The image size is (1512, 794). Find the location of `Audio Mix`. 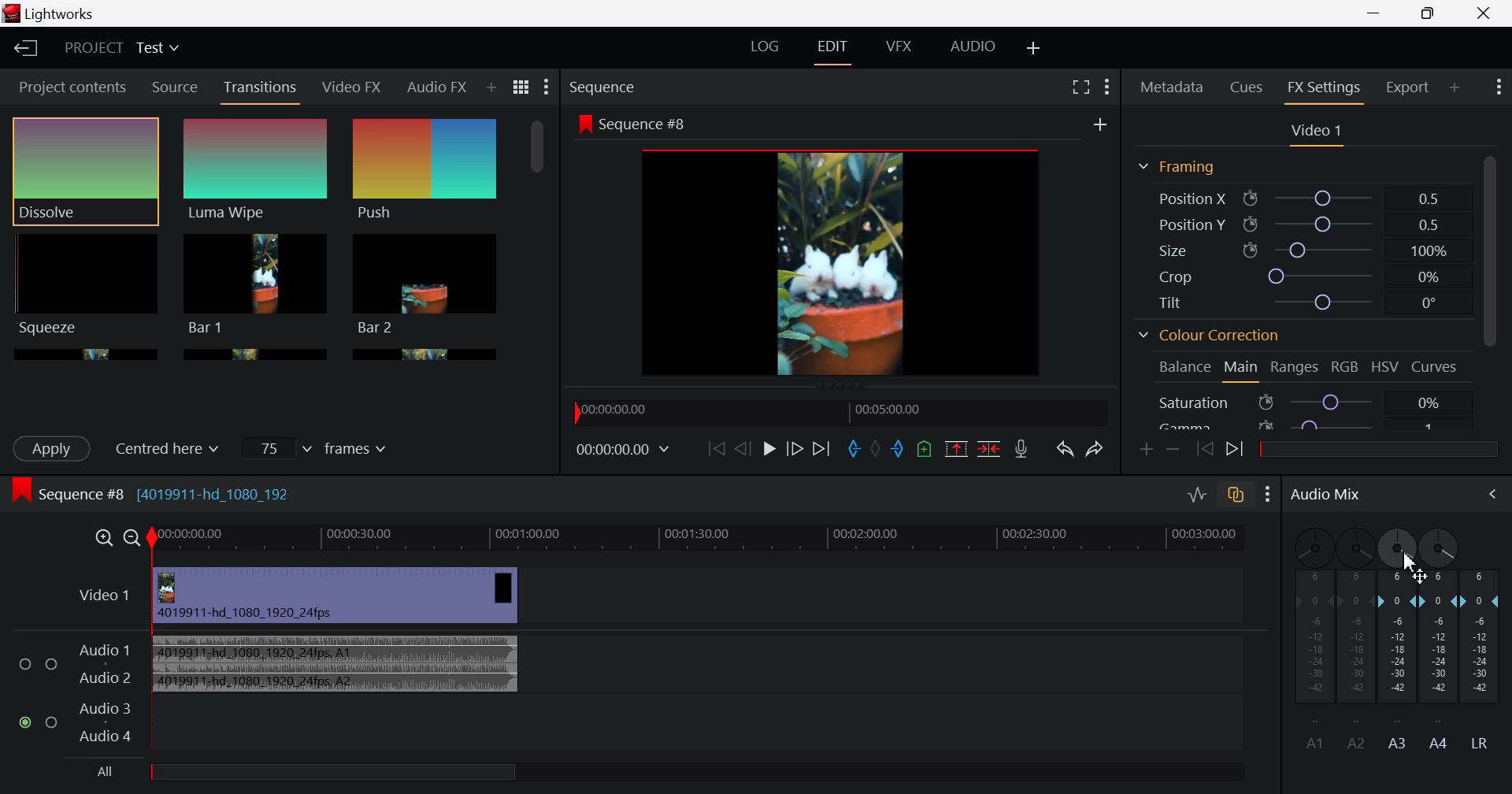

Audio Mix is located at coordinates (1324, 497).